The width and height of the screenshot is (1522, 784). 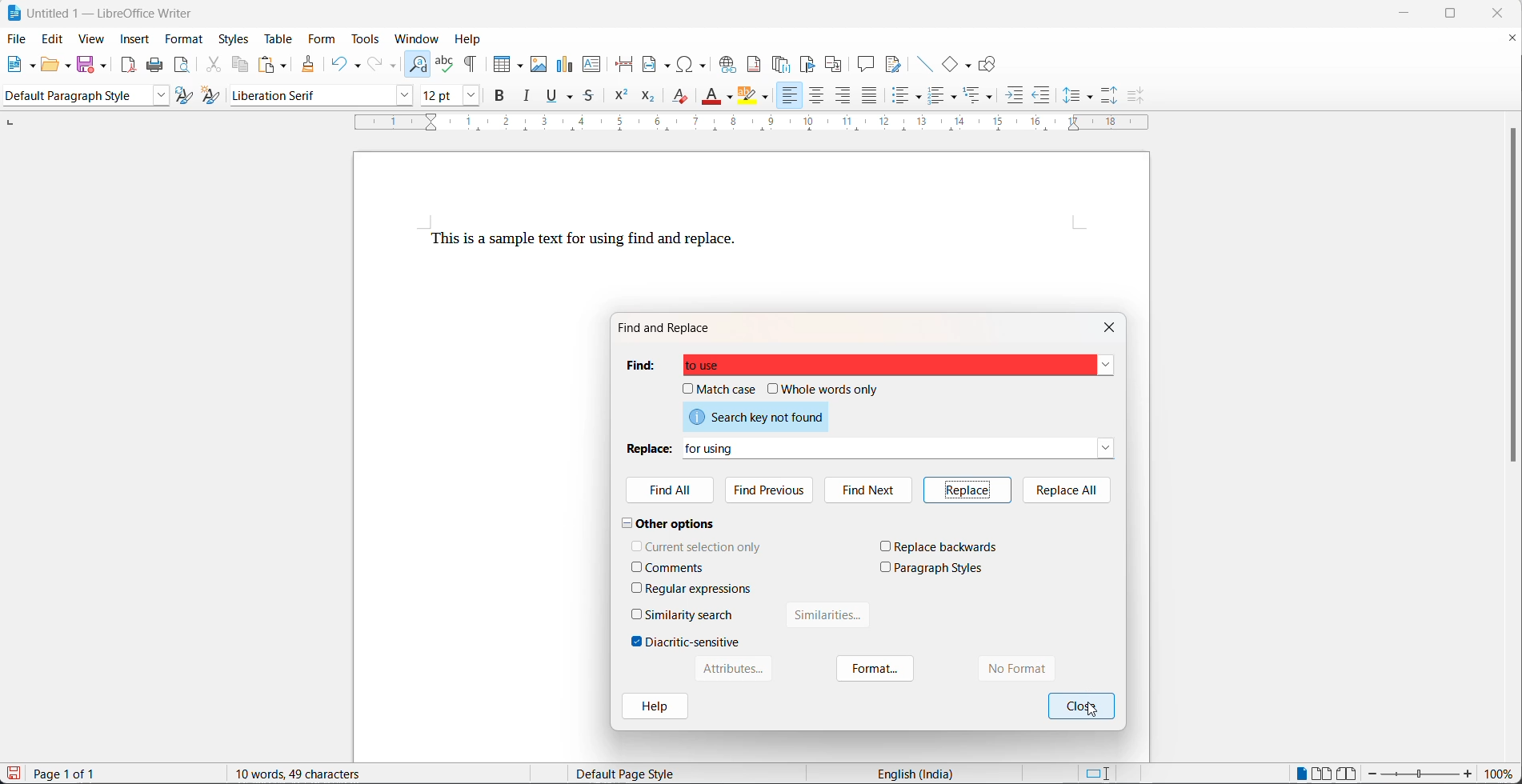 I want to click on bold, so click(x=501, y=98).